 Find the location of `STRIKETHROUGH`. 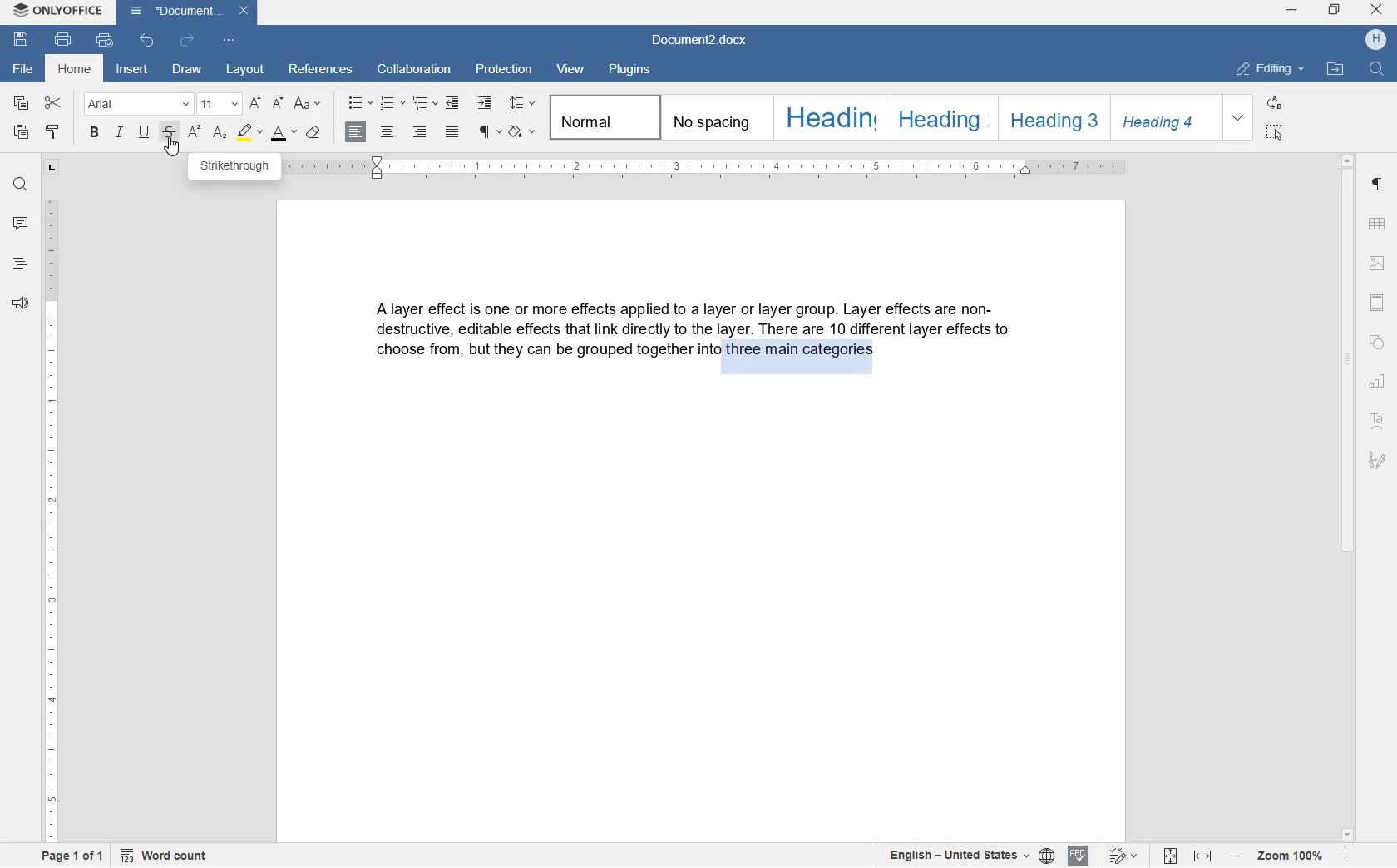

STRIKETHROUGH is located at coordinates (234, 167).